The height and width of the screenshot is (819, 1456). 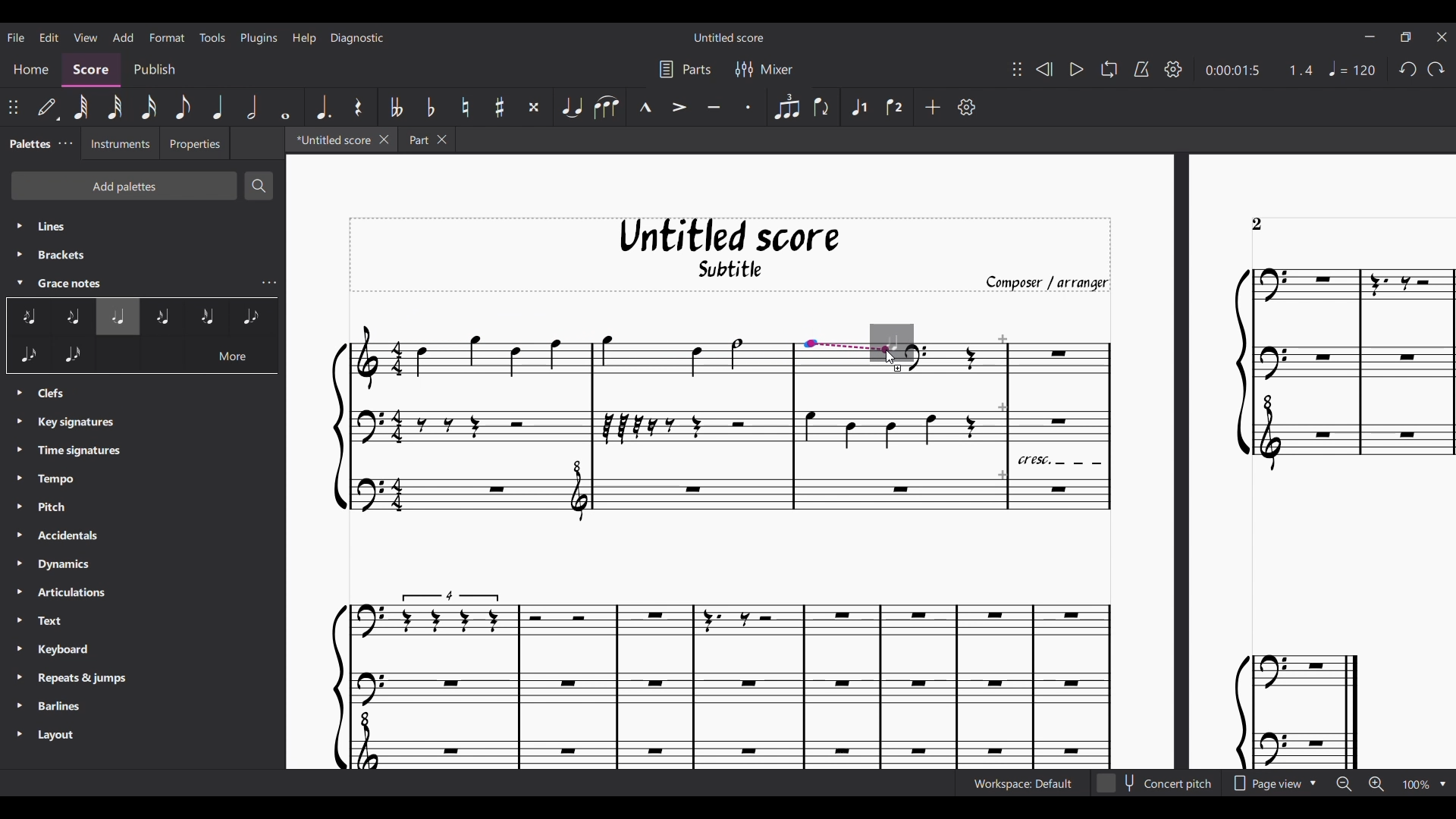 I want to click on Looping playback, so click(x=1109, y=69).